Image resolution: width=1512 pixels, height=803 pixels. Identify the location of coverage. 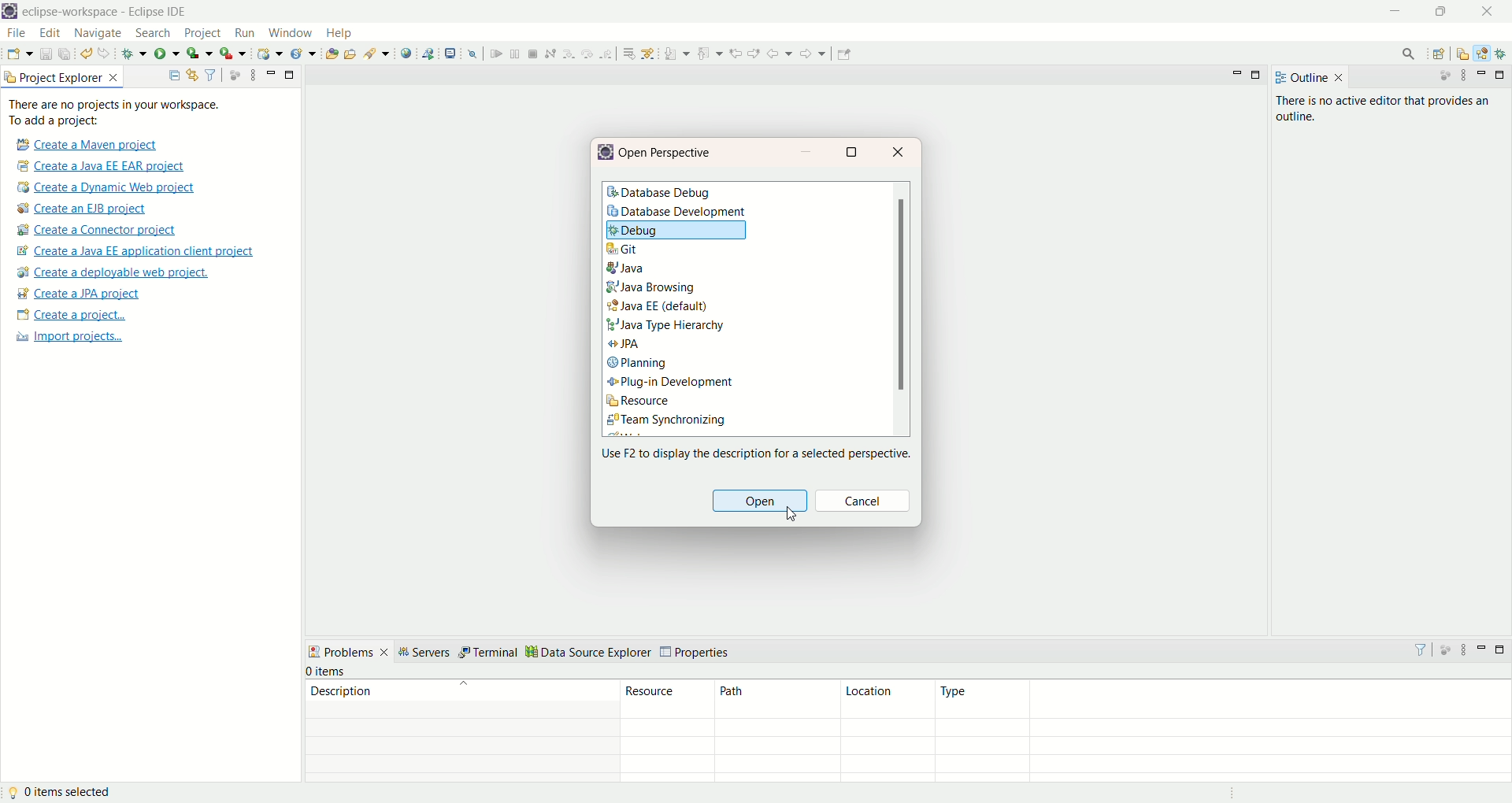
(198, 54).